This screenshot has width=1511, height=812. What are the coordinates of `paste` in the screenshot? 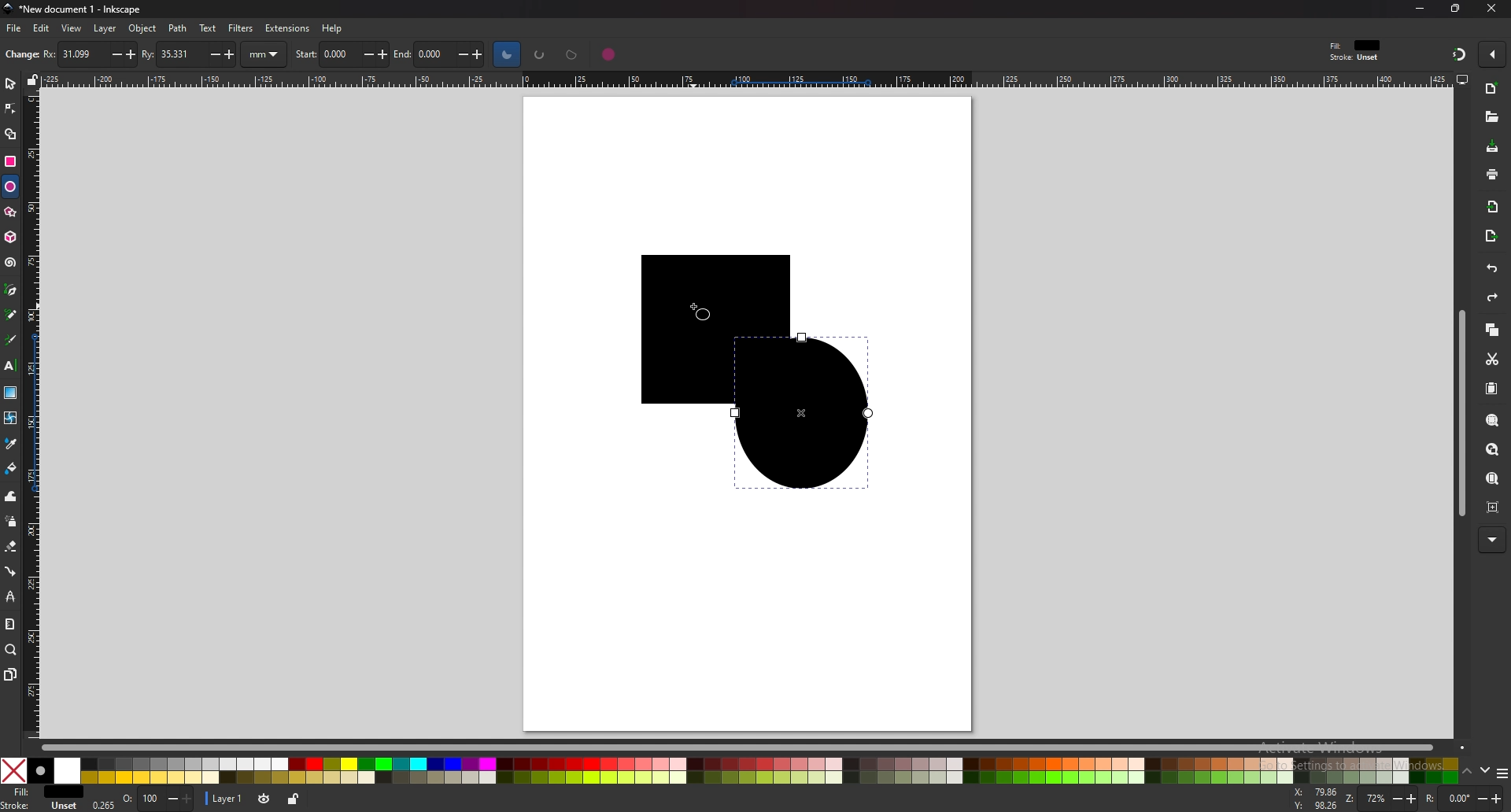 It's located at (1492, 389).